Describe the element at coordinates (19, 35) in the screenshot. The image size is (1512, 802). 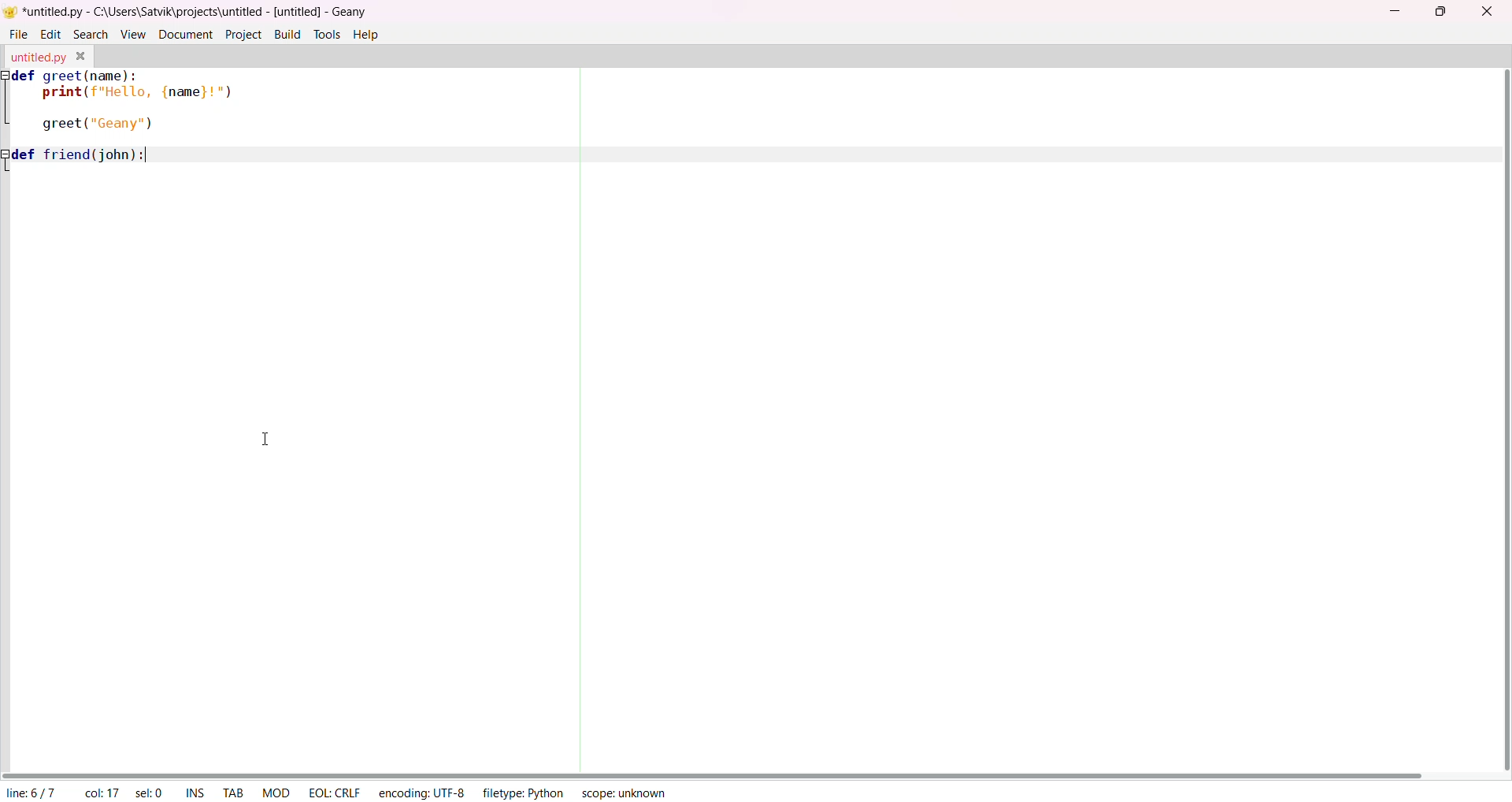
I see `file` at that location.